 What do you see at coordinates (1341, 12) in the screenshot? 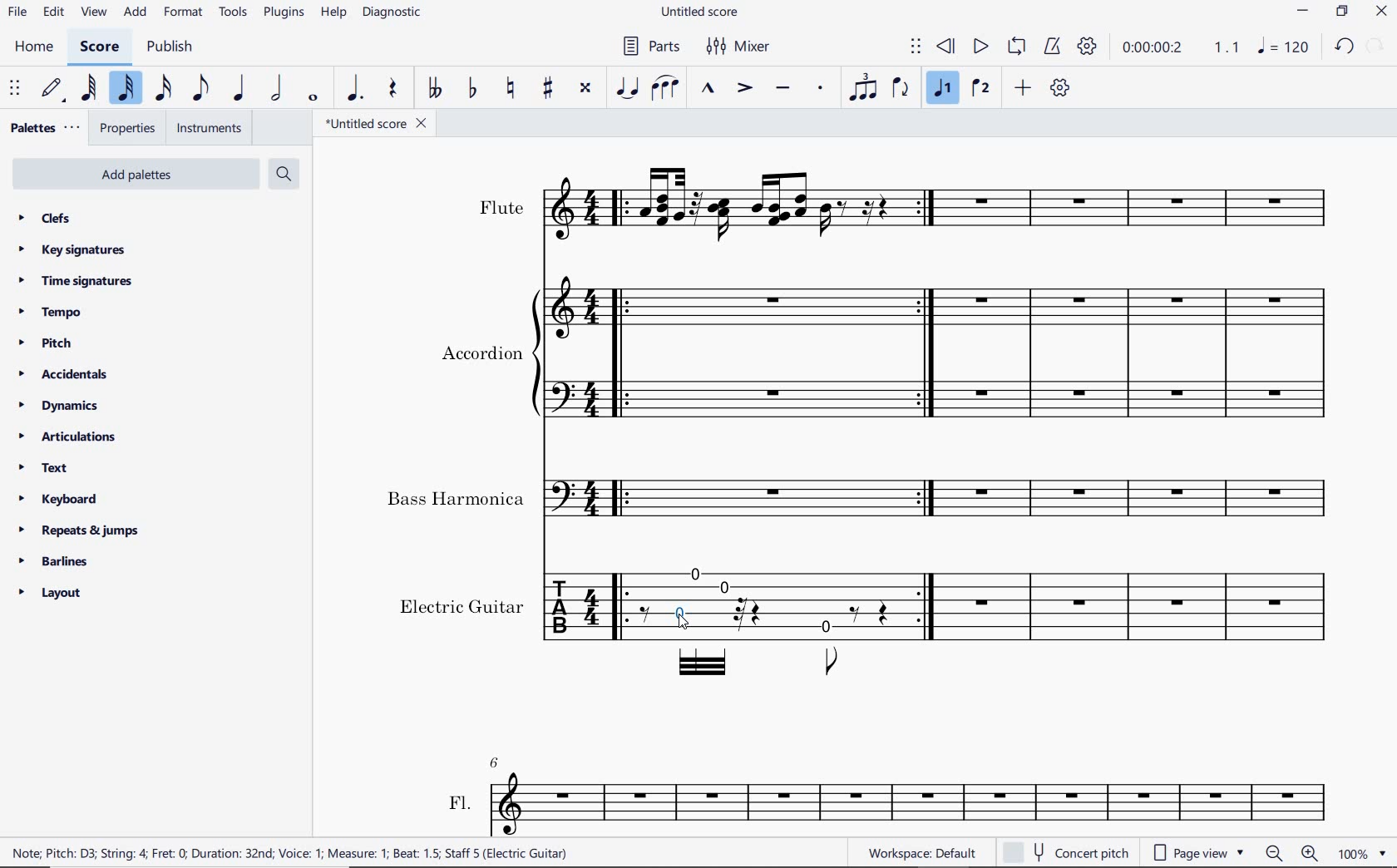
I see `restore down` at bounding box center [1341, 12].